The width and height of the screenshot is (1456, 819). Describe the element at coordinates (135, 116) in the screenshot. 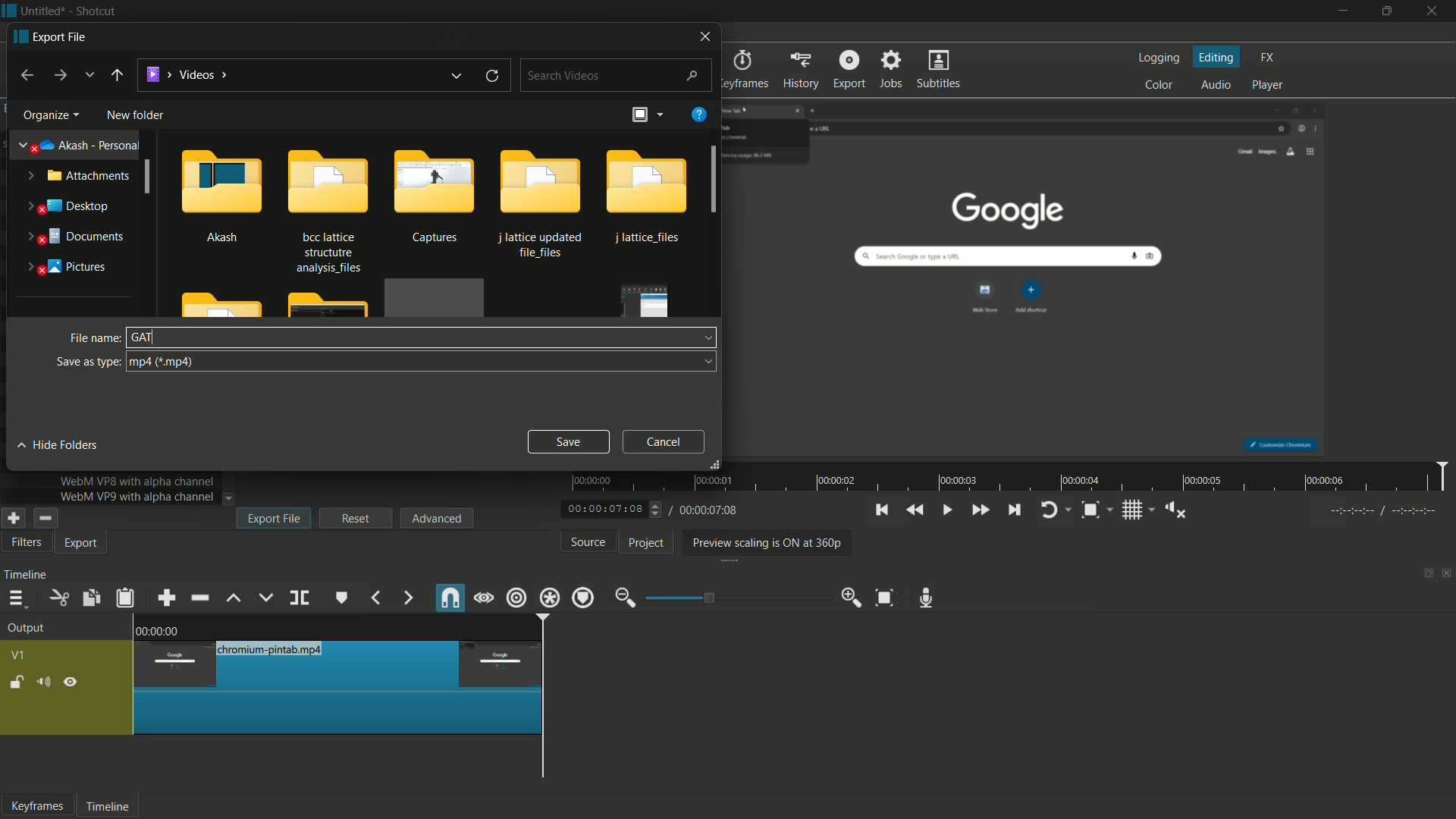

I see `new folder` at that location.